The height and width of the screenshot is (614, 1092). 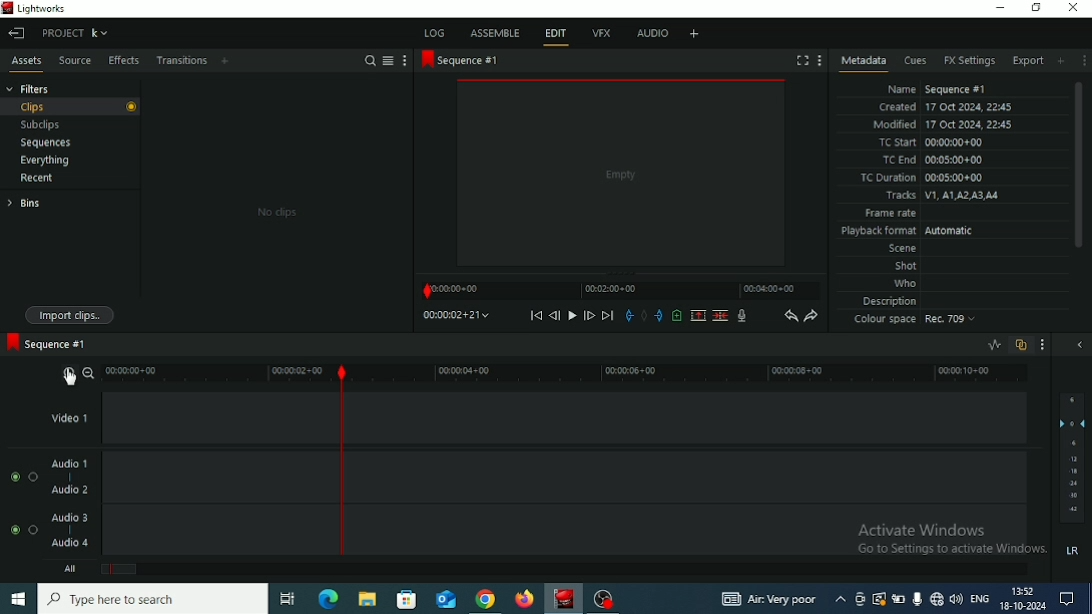 I want to click on Internet, so click(x=936, y=600).